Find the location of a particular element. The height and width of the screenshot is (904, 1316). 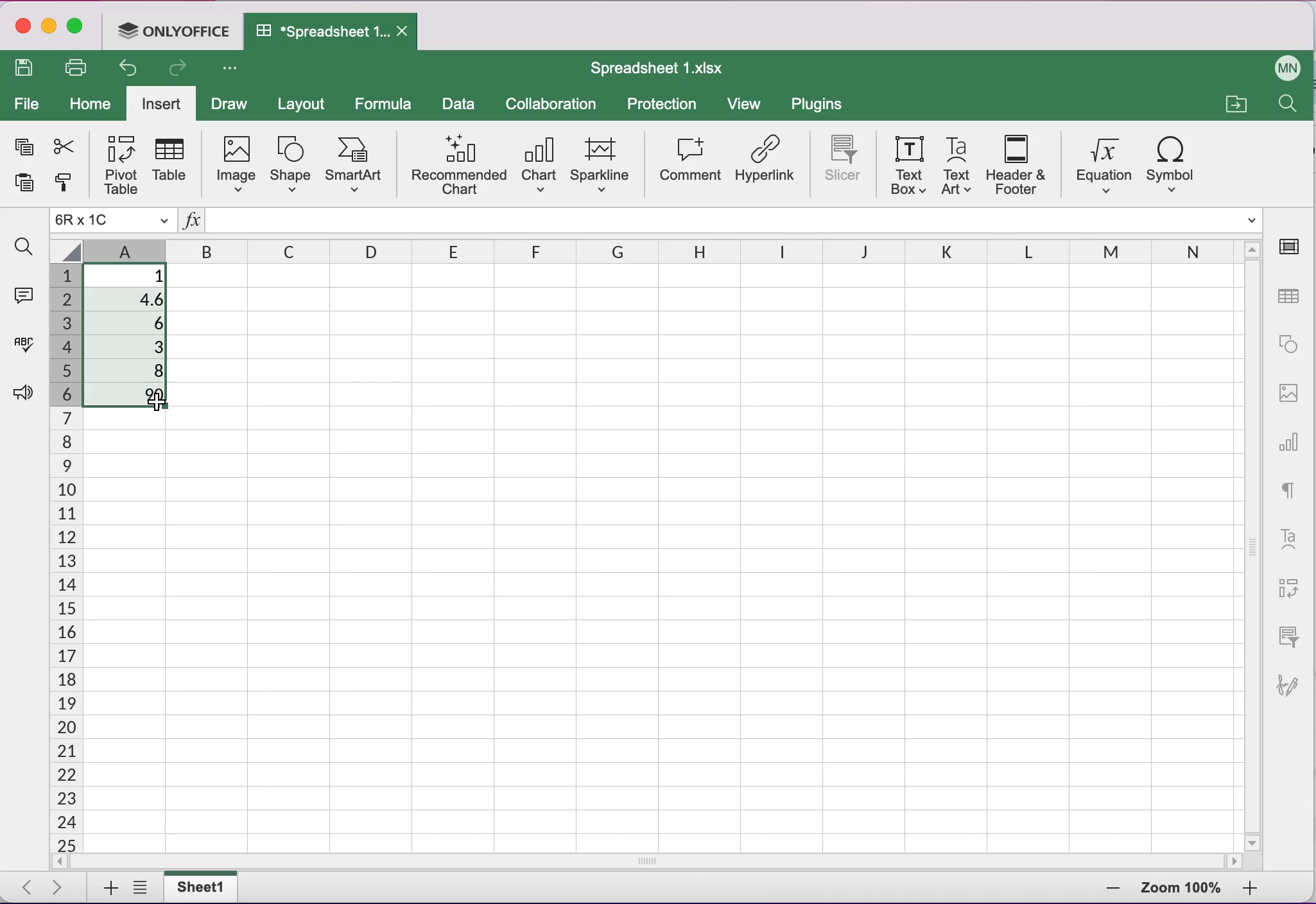

recommended chart is located at coordinates (456, 167).